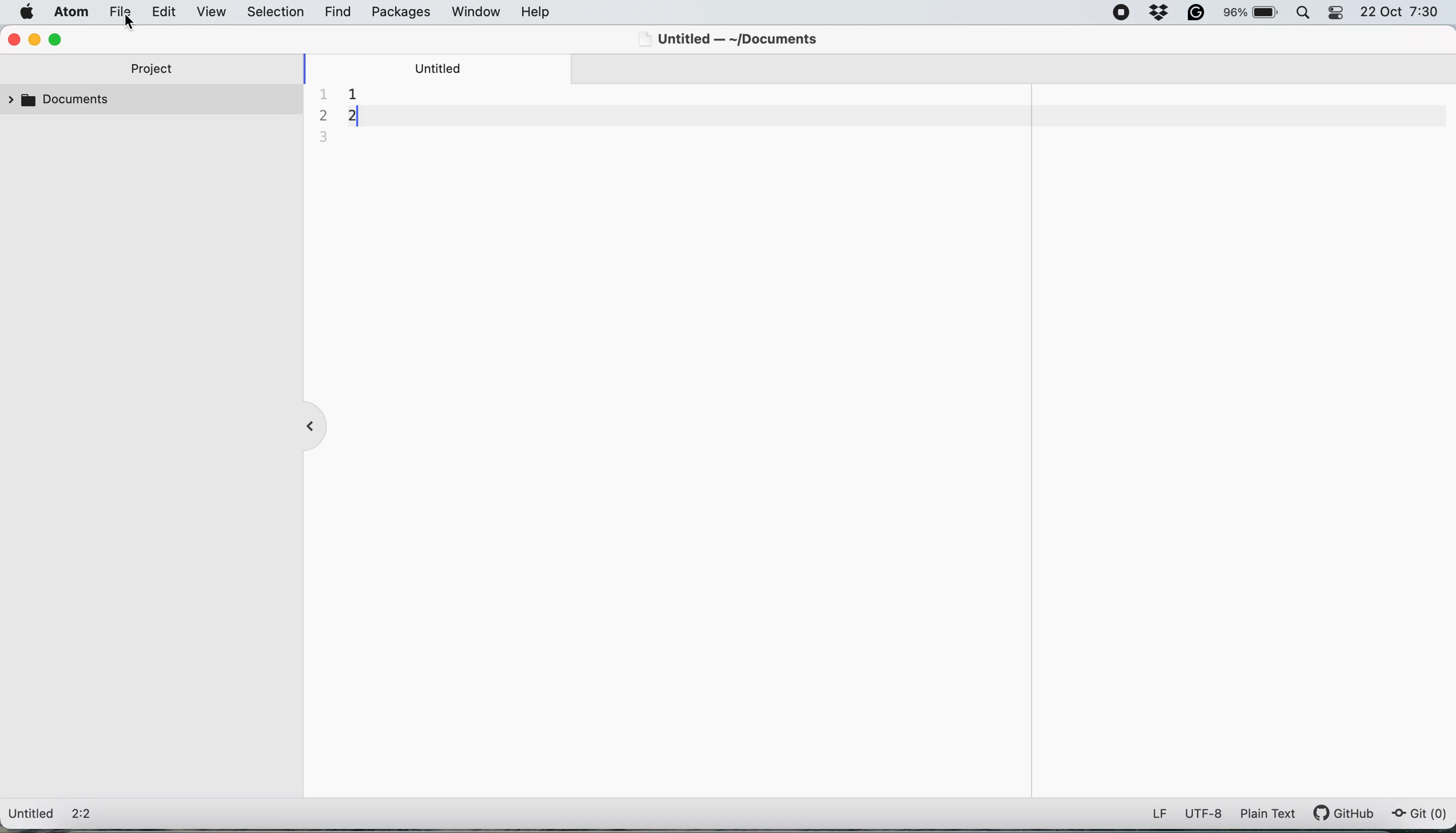 Image resolution: width=1456 pixels, height=833 pixels. I want to click on plain text, so click(1266, 816).